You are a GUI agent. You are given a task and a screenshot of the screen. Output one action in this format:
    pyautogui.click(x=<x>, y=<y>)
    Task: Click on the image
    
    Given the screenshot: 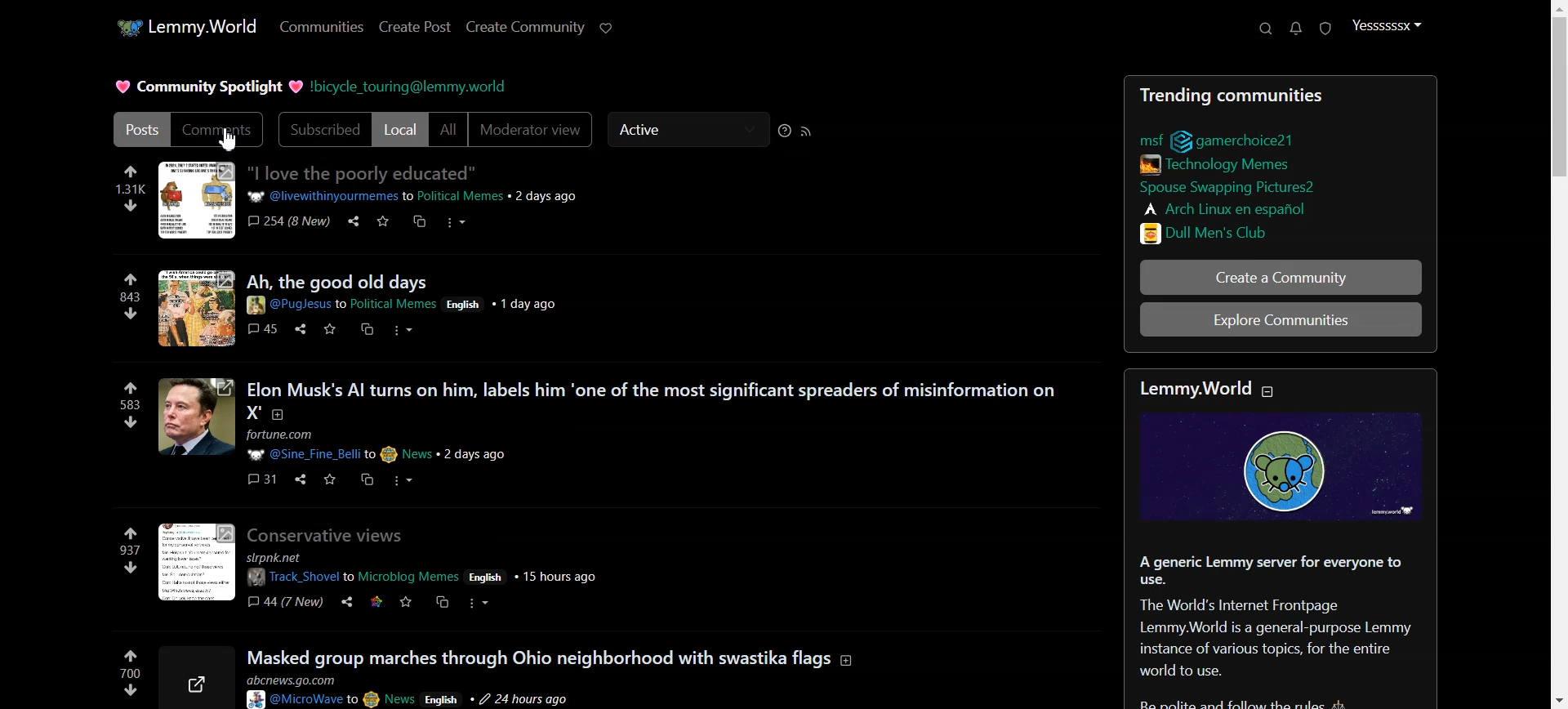 What is the action you would take?
    pyautogui.click(x=1293, y=469)
    